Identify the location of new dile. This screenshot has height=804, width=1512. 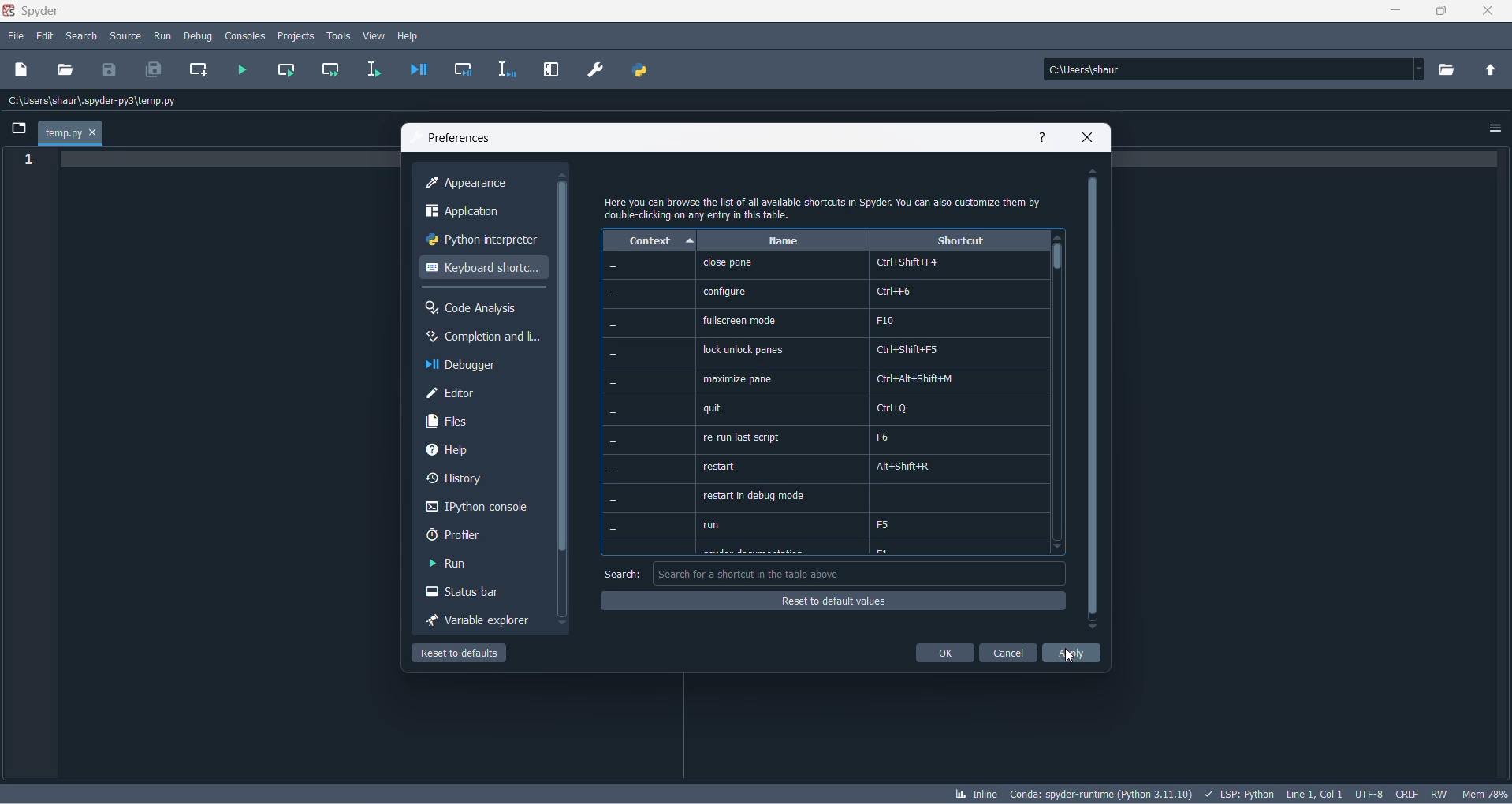
(22, 69).